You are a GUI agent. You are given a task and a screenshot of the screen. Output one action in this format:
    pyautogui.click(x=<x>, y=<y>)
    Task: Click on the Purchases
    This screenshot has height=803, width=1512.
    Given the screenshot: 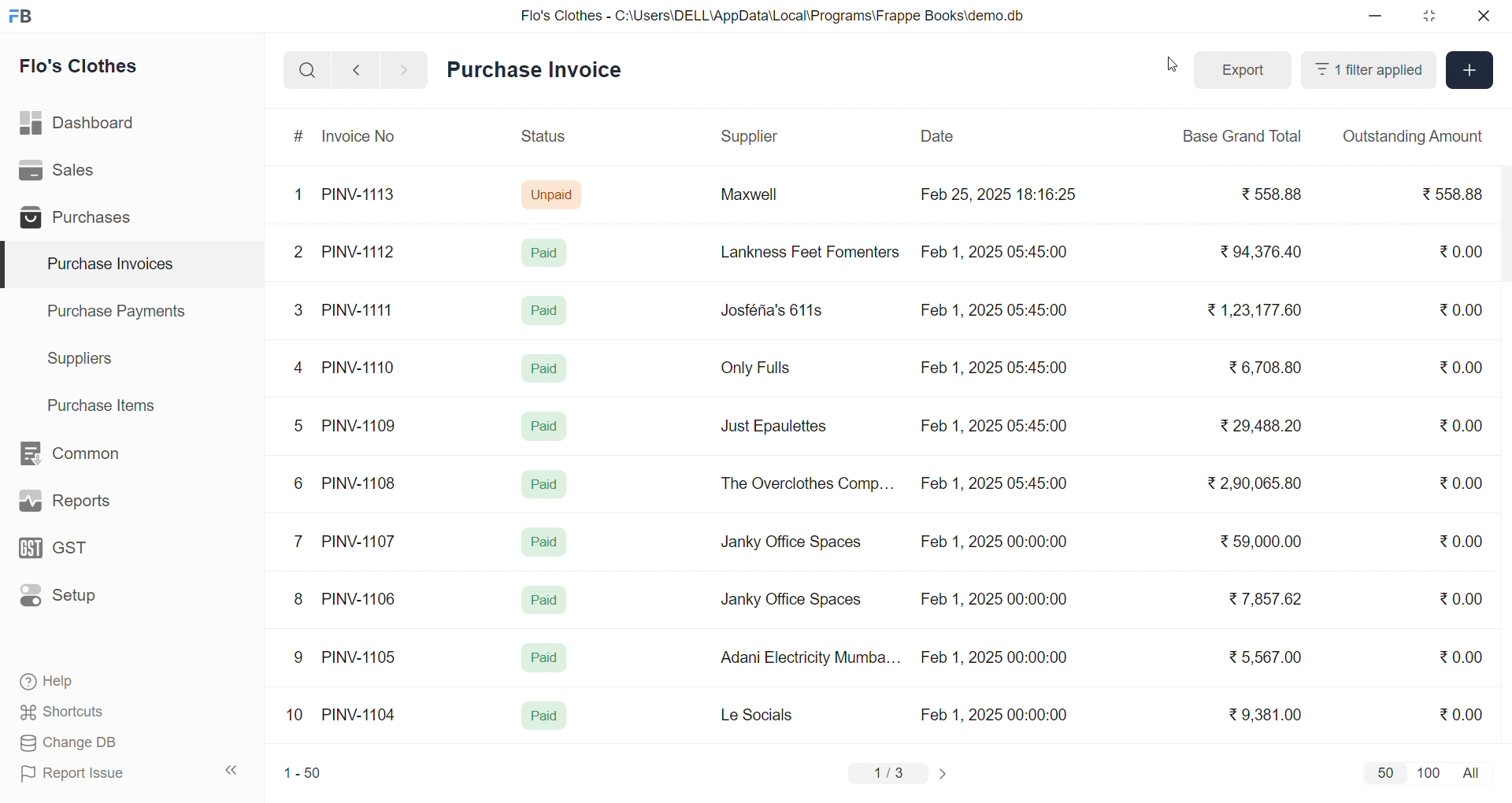 What is the action you would take?
    pyautogui.click(x=81, y=220)
    